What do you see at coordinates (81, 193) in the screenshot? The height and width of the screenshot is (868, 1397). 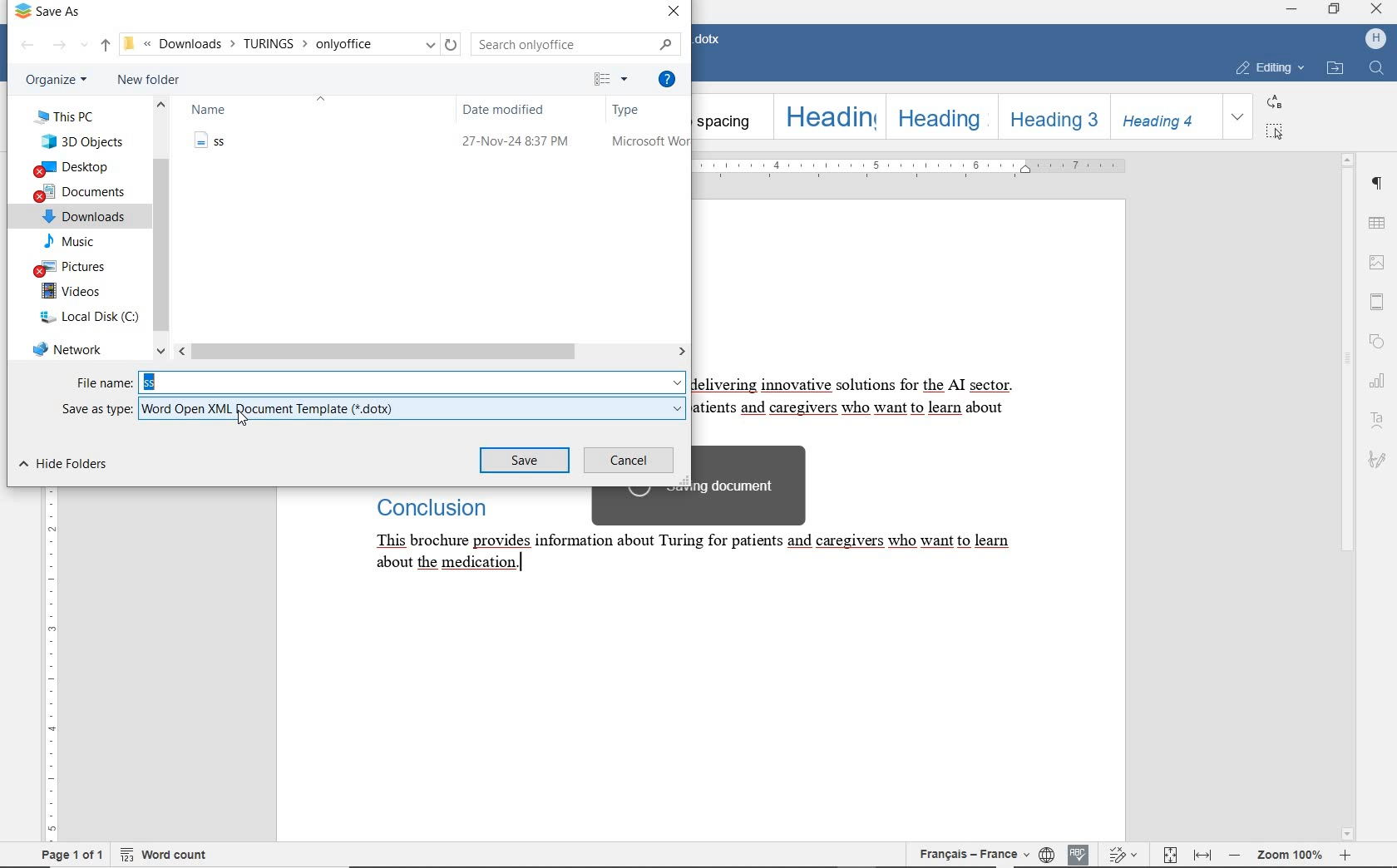 I see `DOCUMENTS` at bounding box center [81, 193].